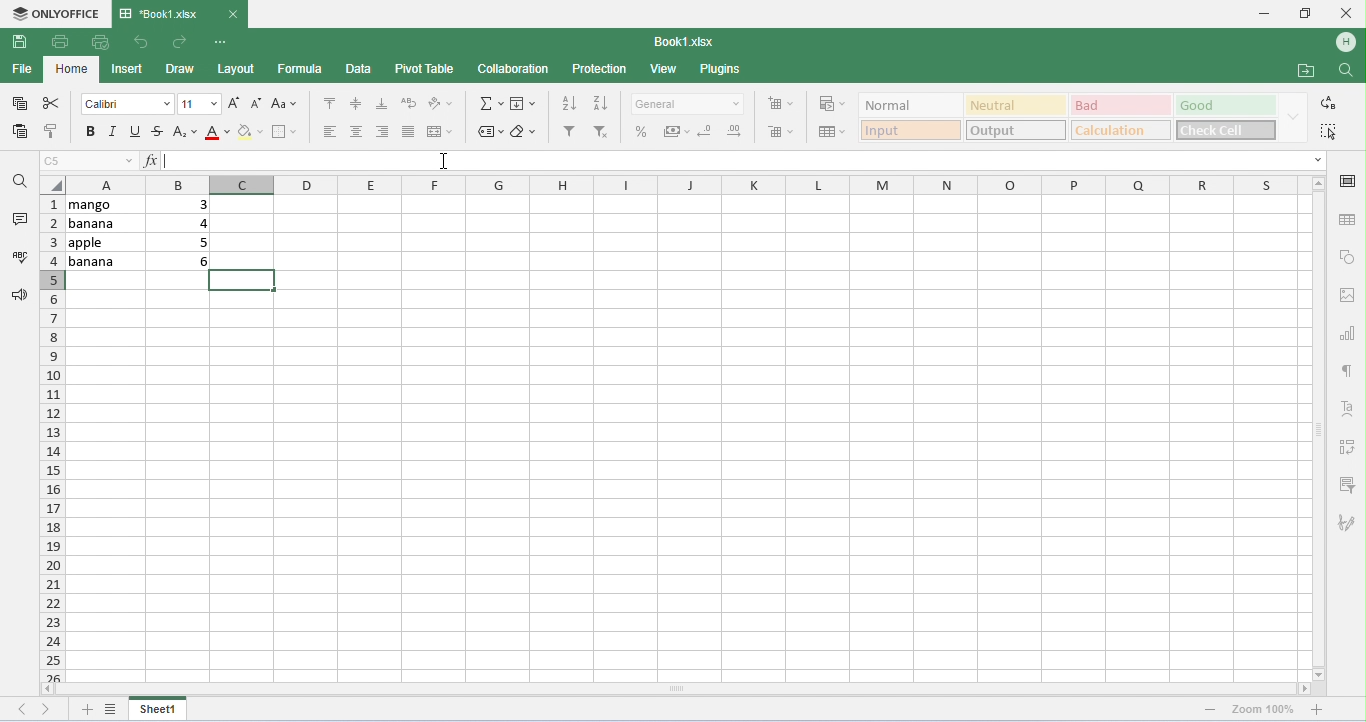 This screenshot has width=1366, height=722. I want to click on drop down, so click(1317, 161).